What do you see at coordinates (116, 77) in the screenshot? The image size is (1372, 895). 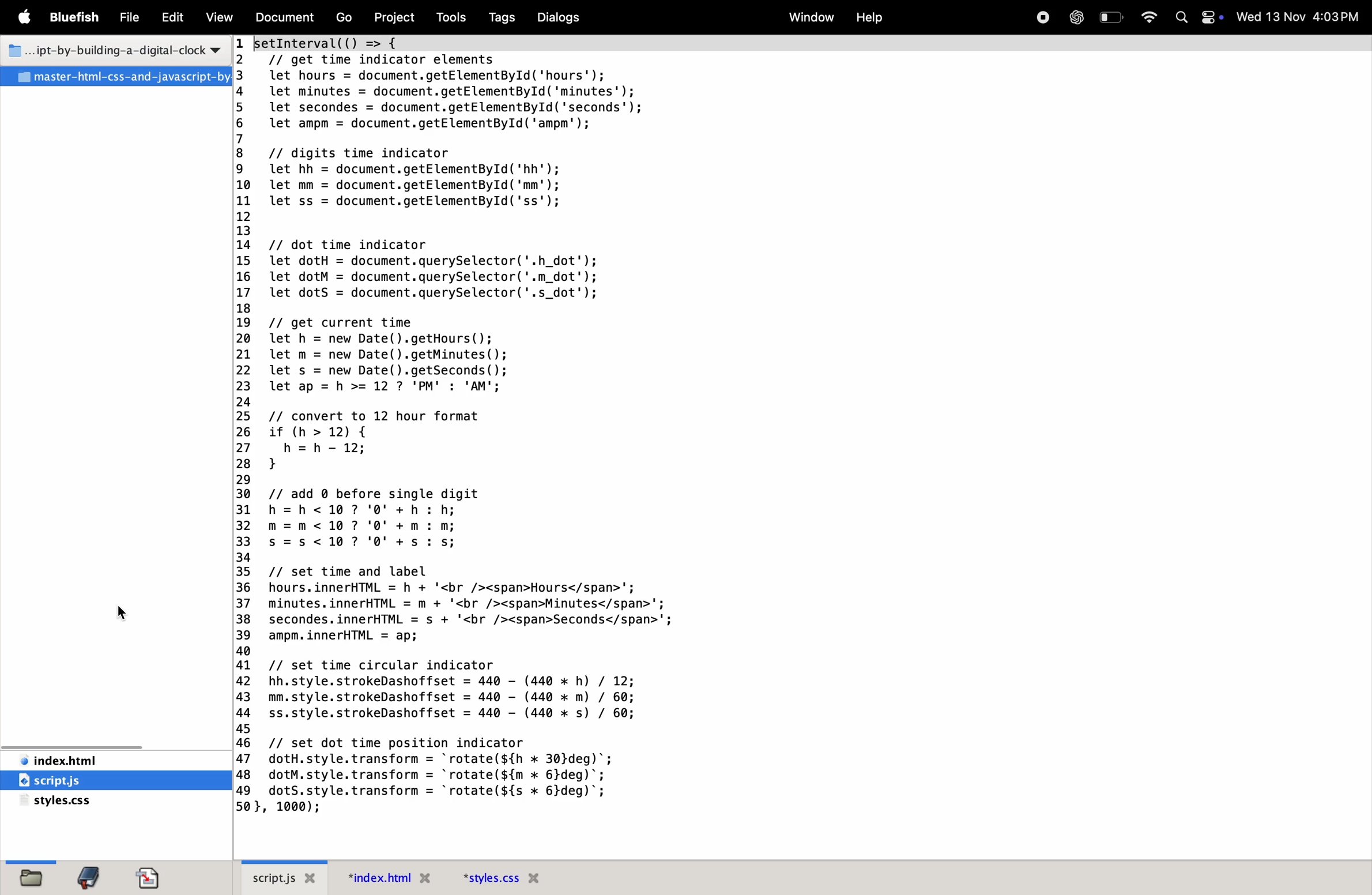 I see `file master` at bounding box center [116, 77].